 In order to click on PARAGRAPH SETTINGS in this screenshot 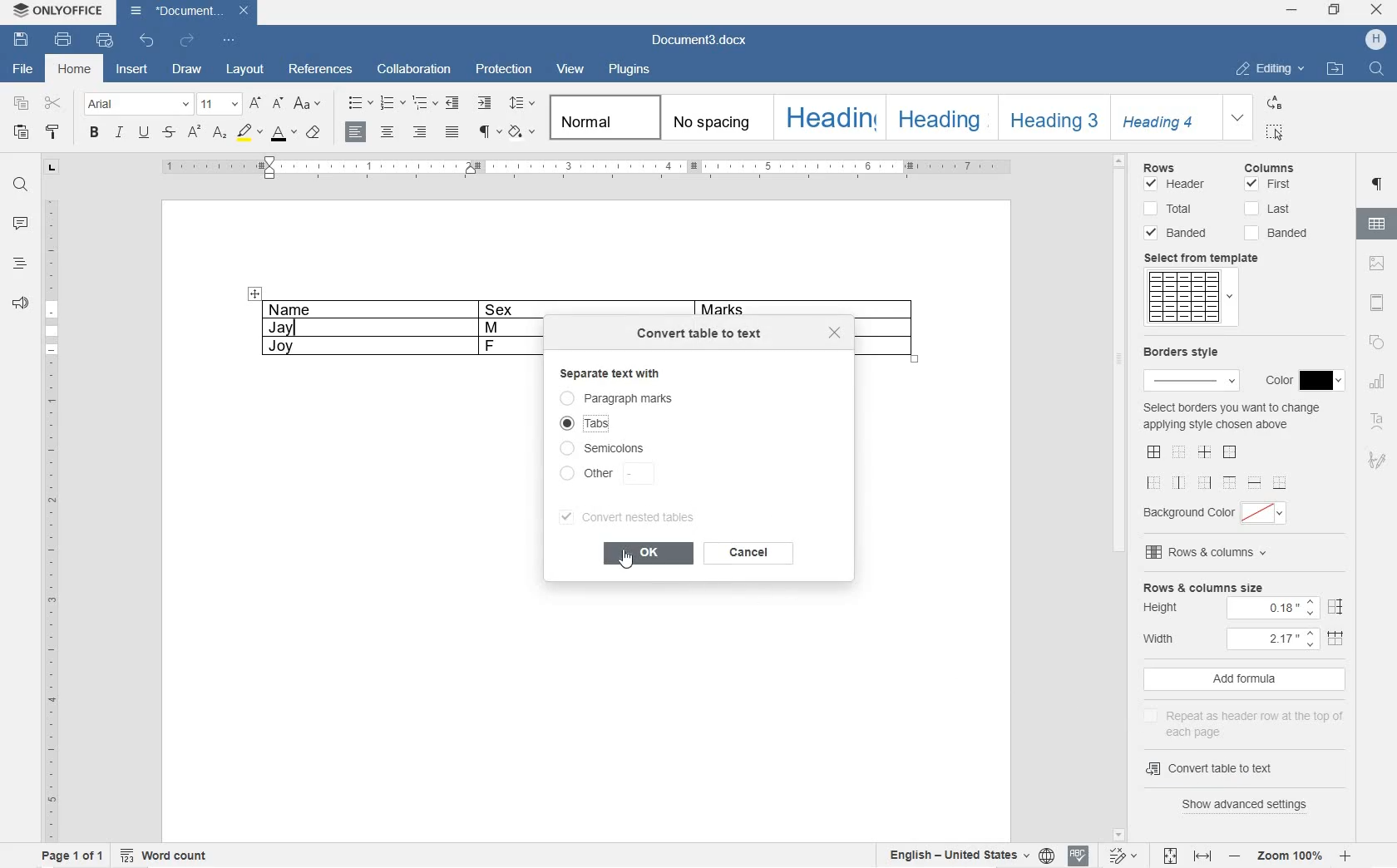, I will do `click(1376, 186)`.